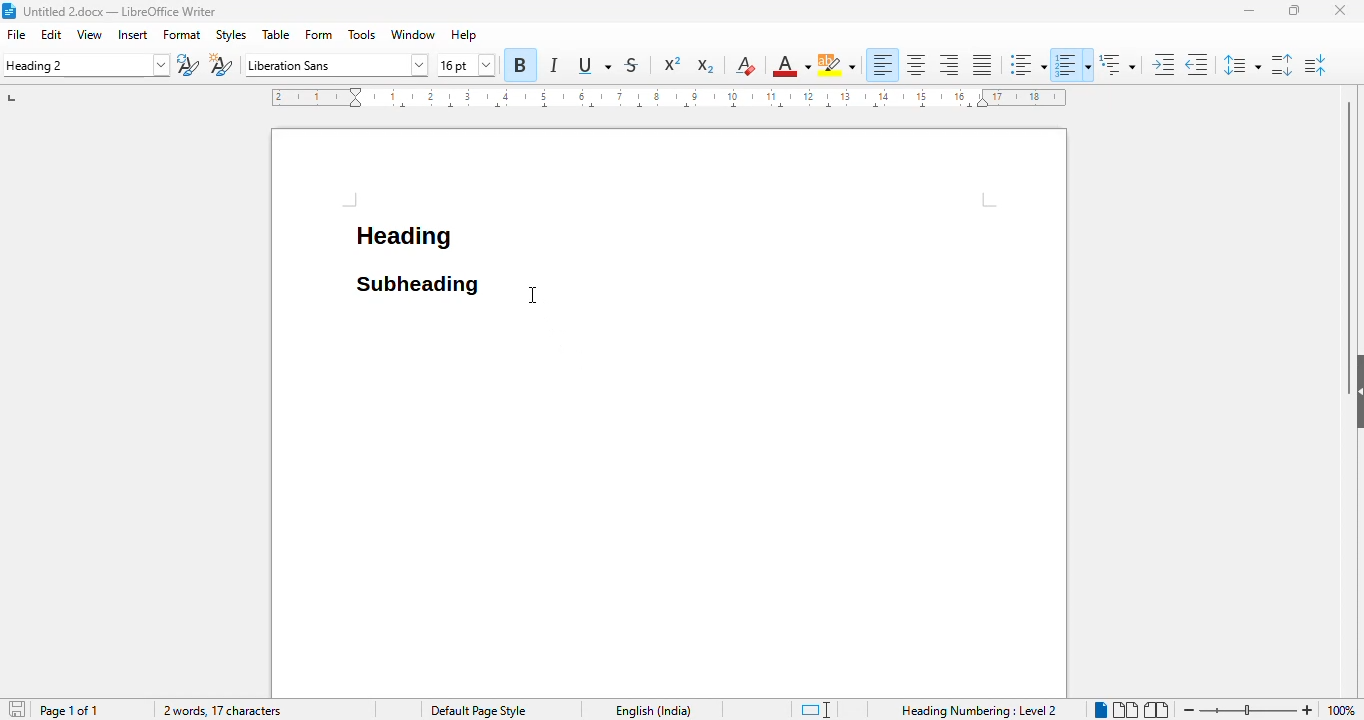 Image resolution: width=1364 pixels, height=720 pixels. I want to click on set paragraph style, so click(86, 66).